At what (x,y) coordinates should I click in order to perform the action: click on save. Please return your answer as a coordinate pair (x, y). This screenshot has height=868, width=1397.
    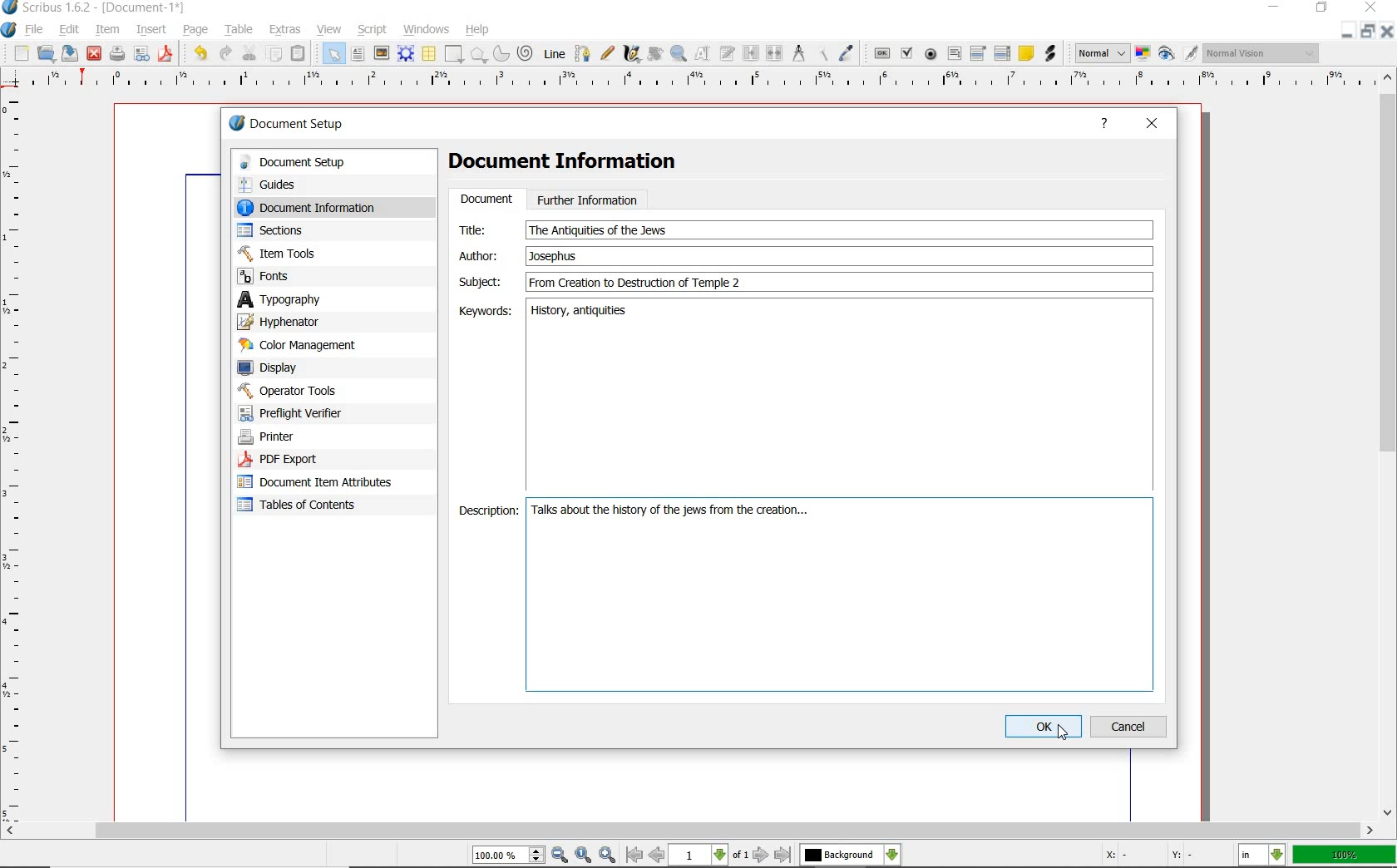
    Looking at the image, I should click on (72, 53).